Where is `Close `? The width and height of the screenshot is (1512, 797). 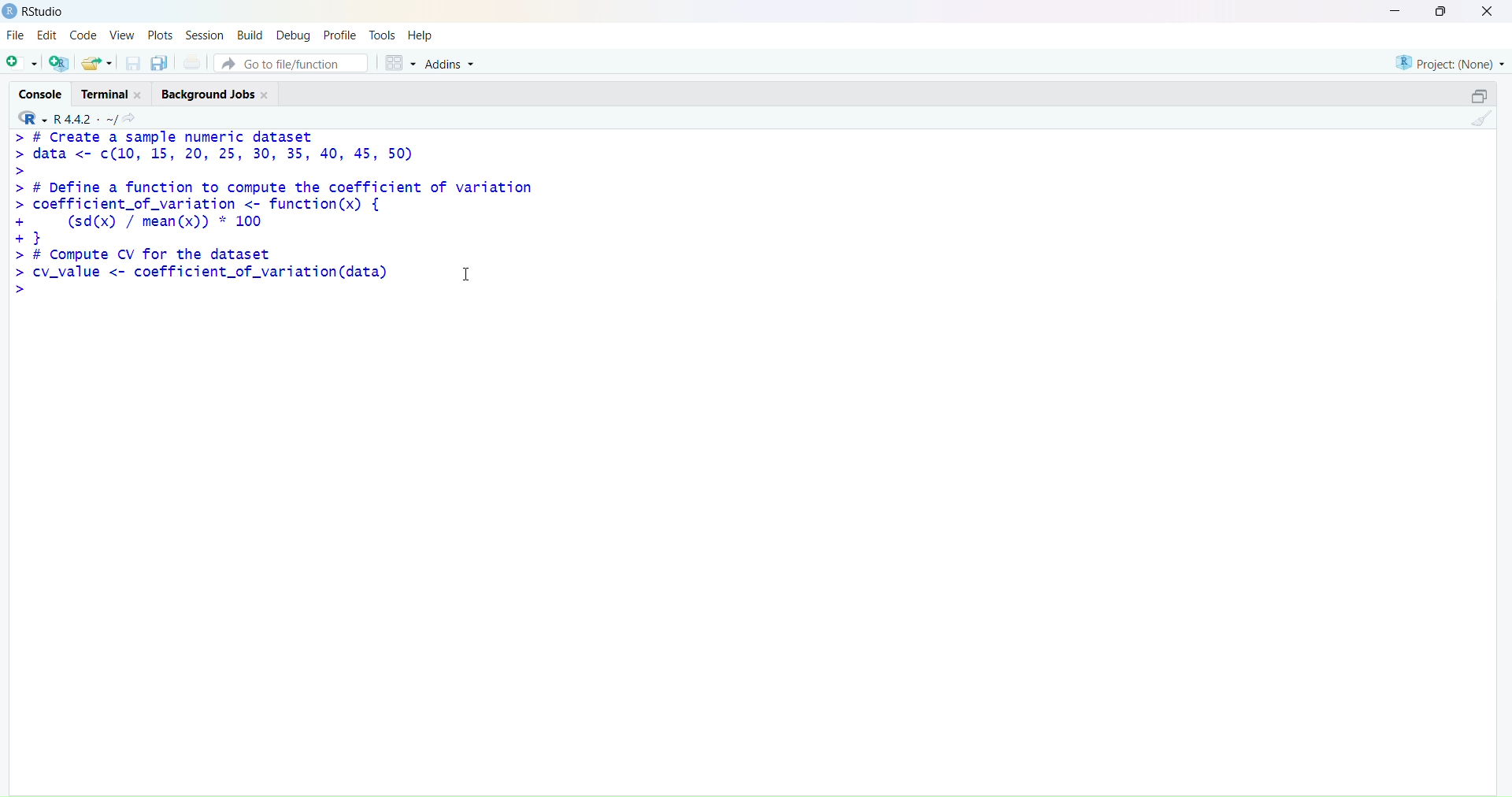 Close  is located at coordinates (266, 95).